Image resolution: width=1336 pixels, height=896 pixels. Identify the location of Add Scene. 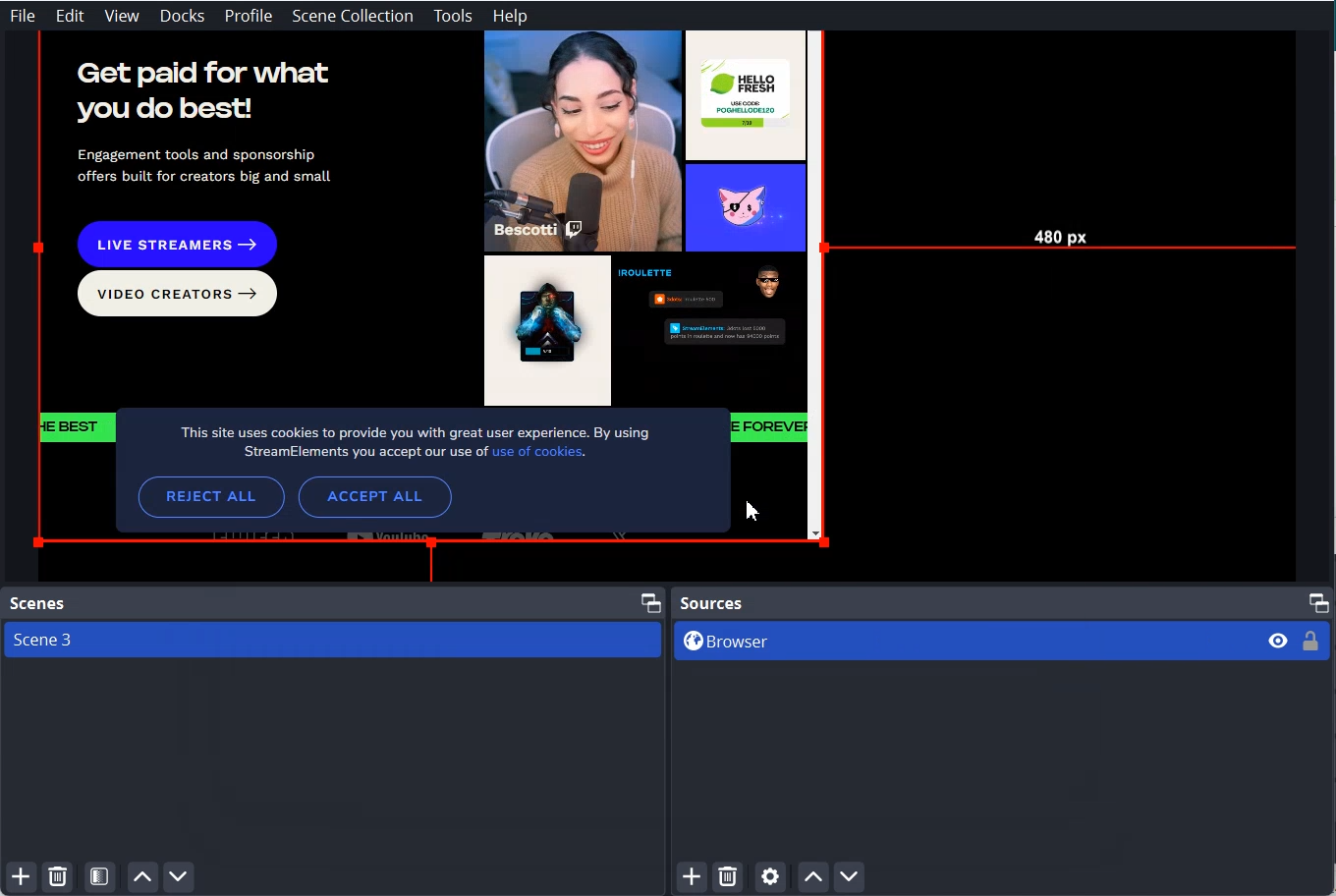
(18, 878).